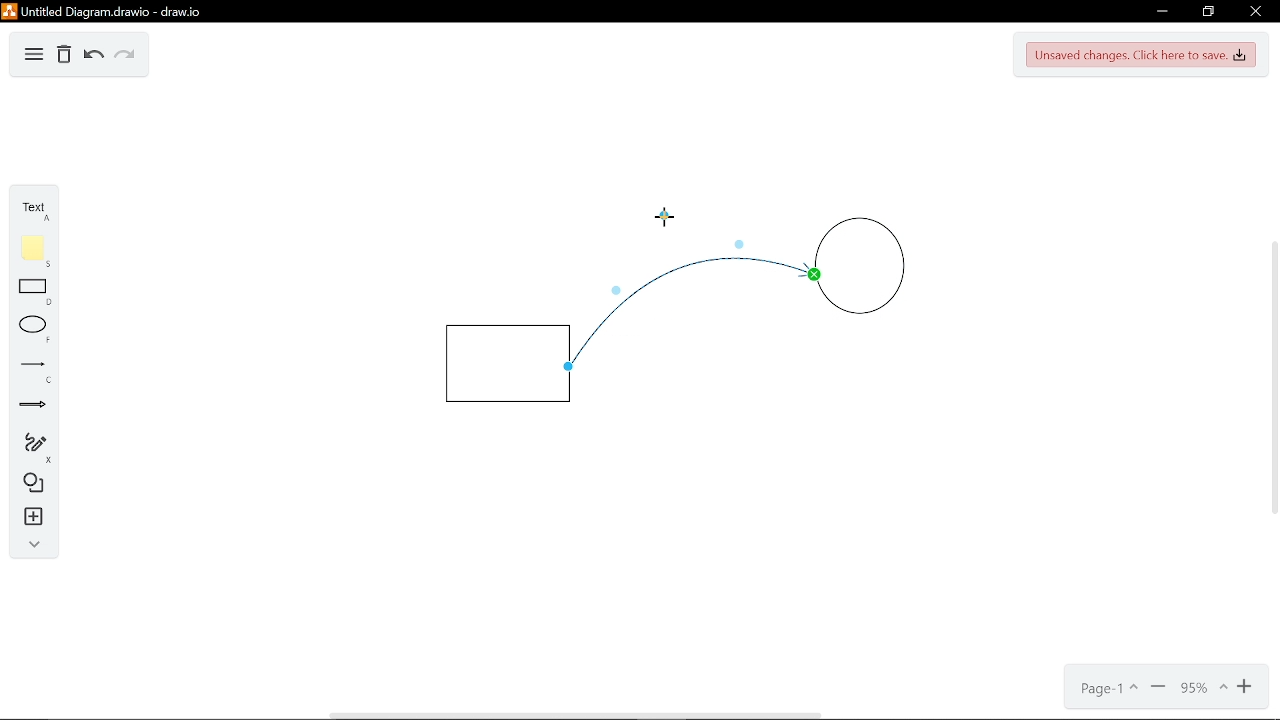  I want to click on Minimize, so click(1162, 11).